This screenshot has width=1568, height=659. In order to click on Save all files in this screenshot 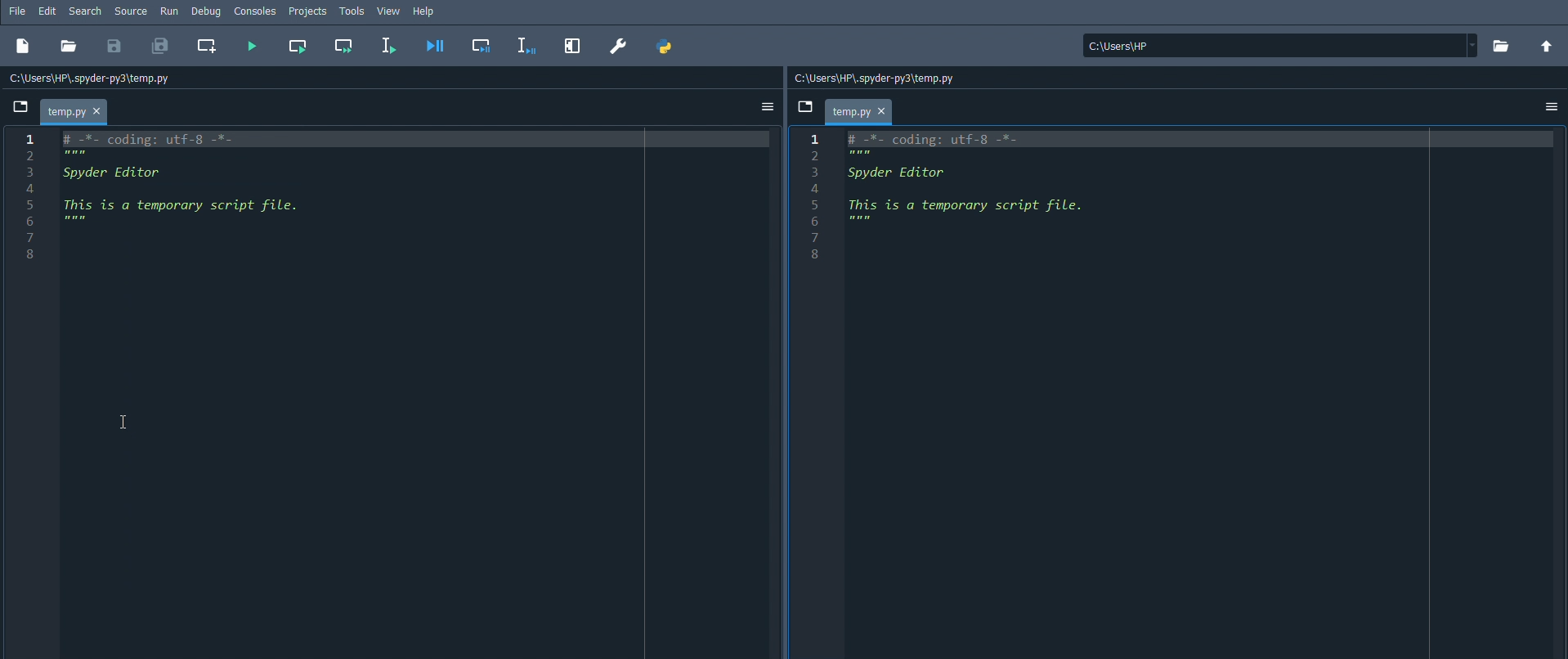, I will do `click(162, 46)`.